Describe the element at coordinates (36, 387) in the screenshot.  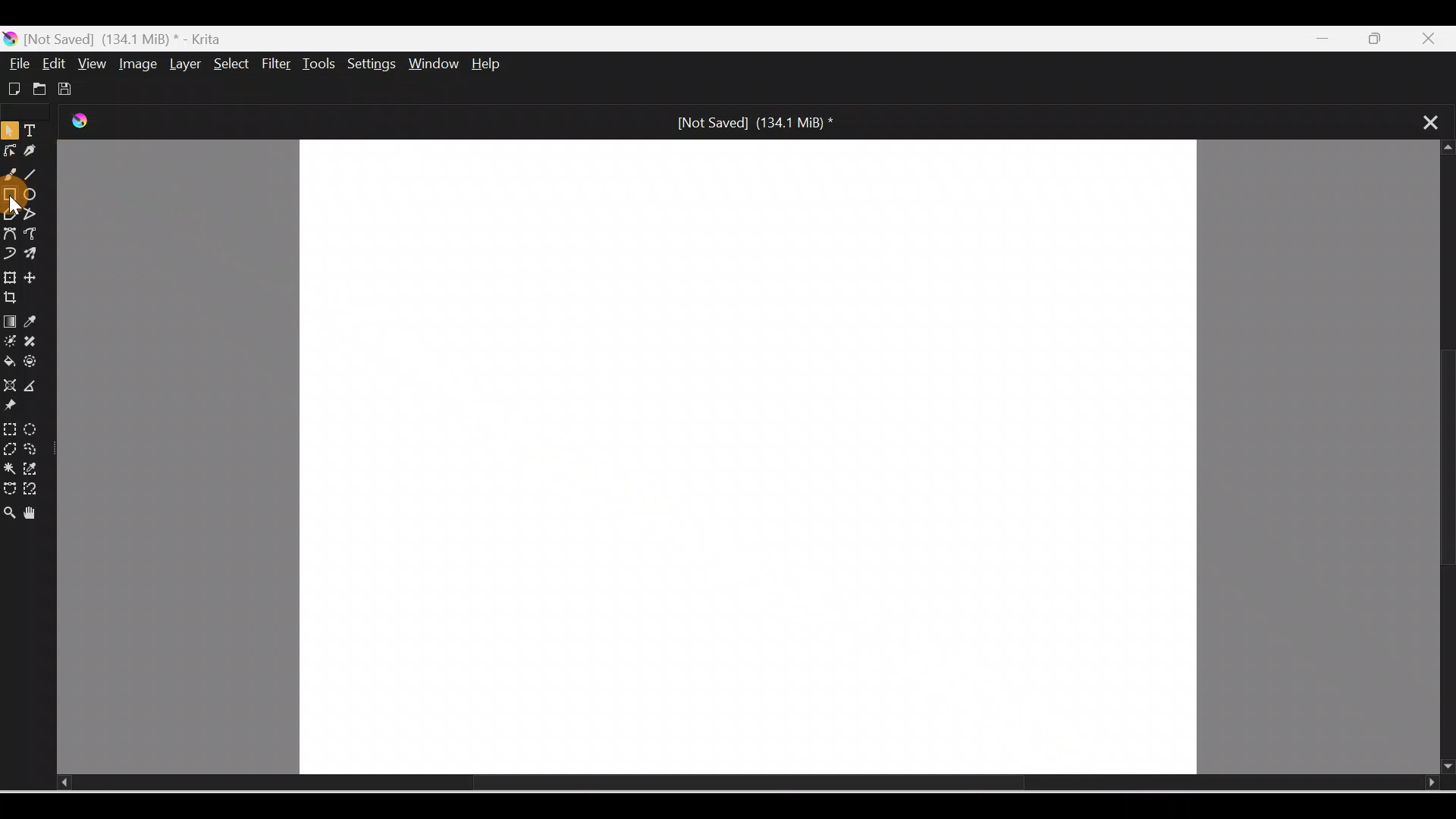
I see `Measure the distance between two points` at that location.